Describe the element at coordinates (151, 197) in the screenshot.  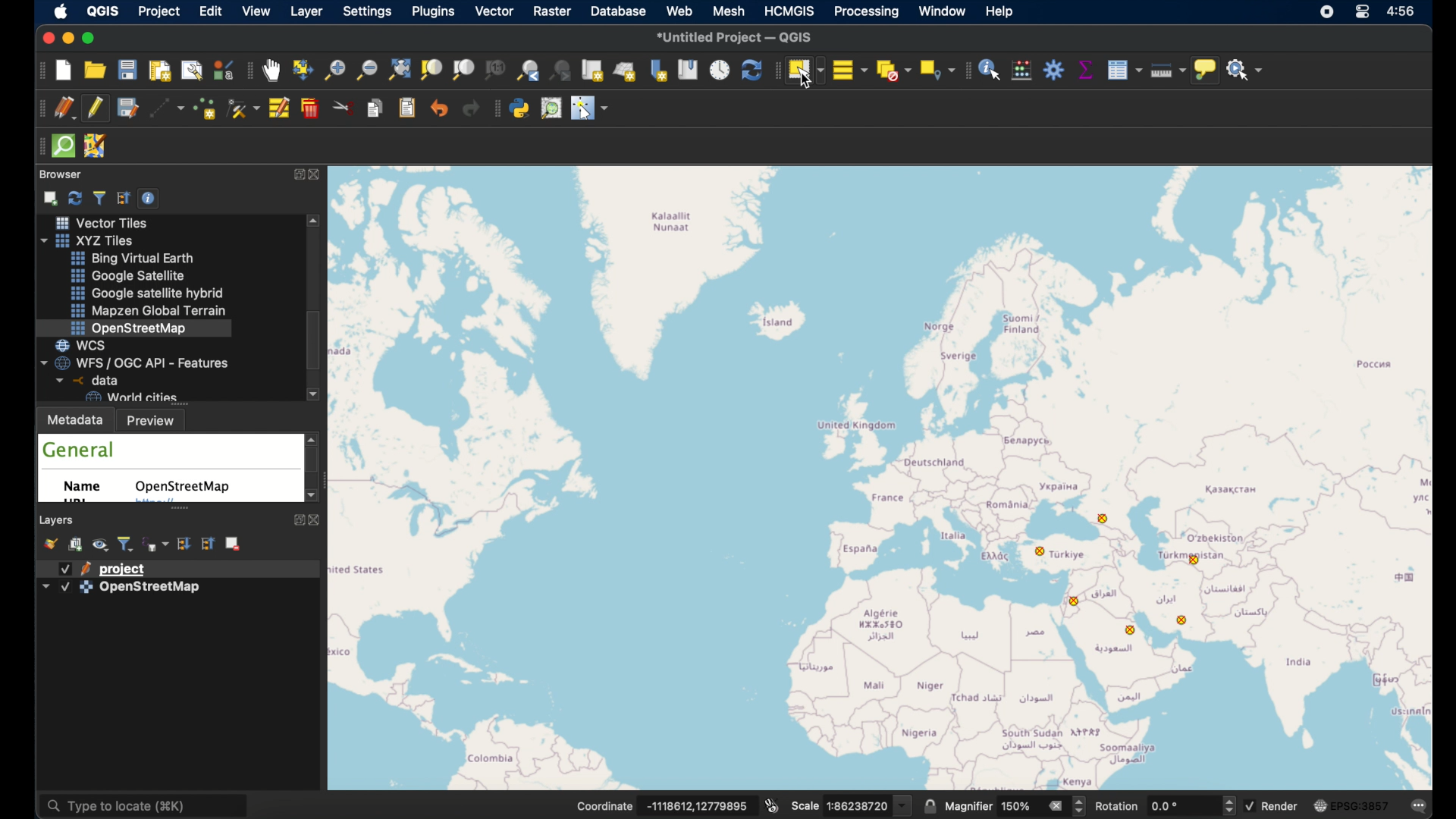
I see `enable/disbale properties widget` at that location.